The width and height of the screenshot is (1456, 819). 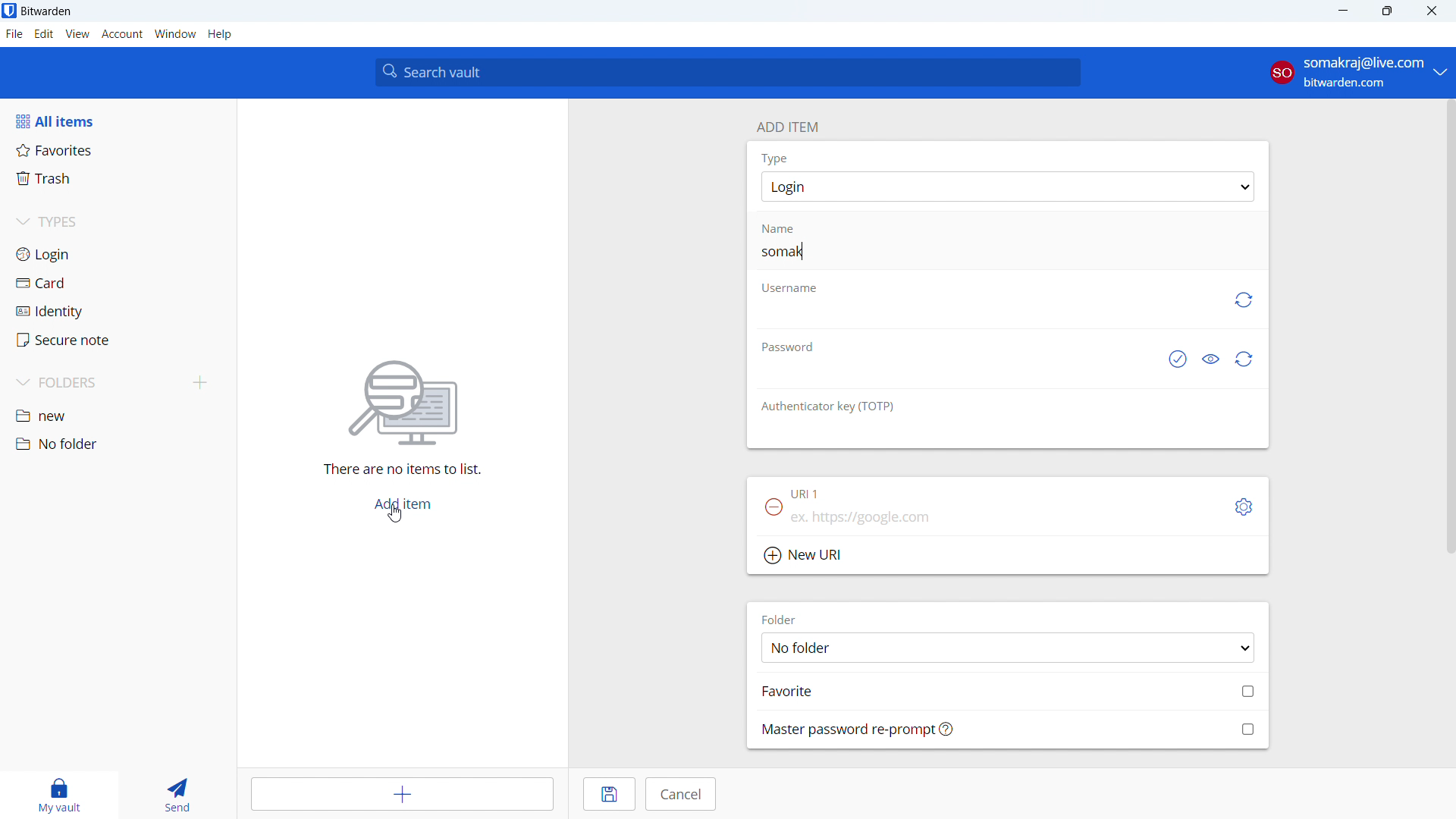 I want to click on account, so click(x=122, y=34).